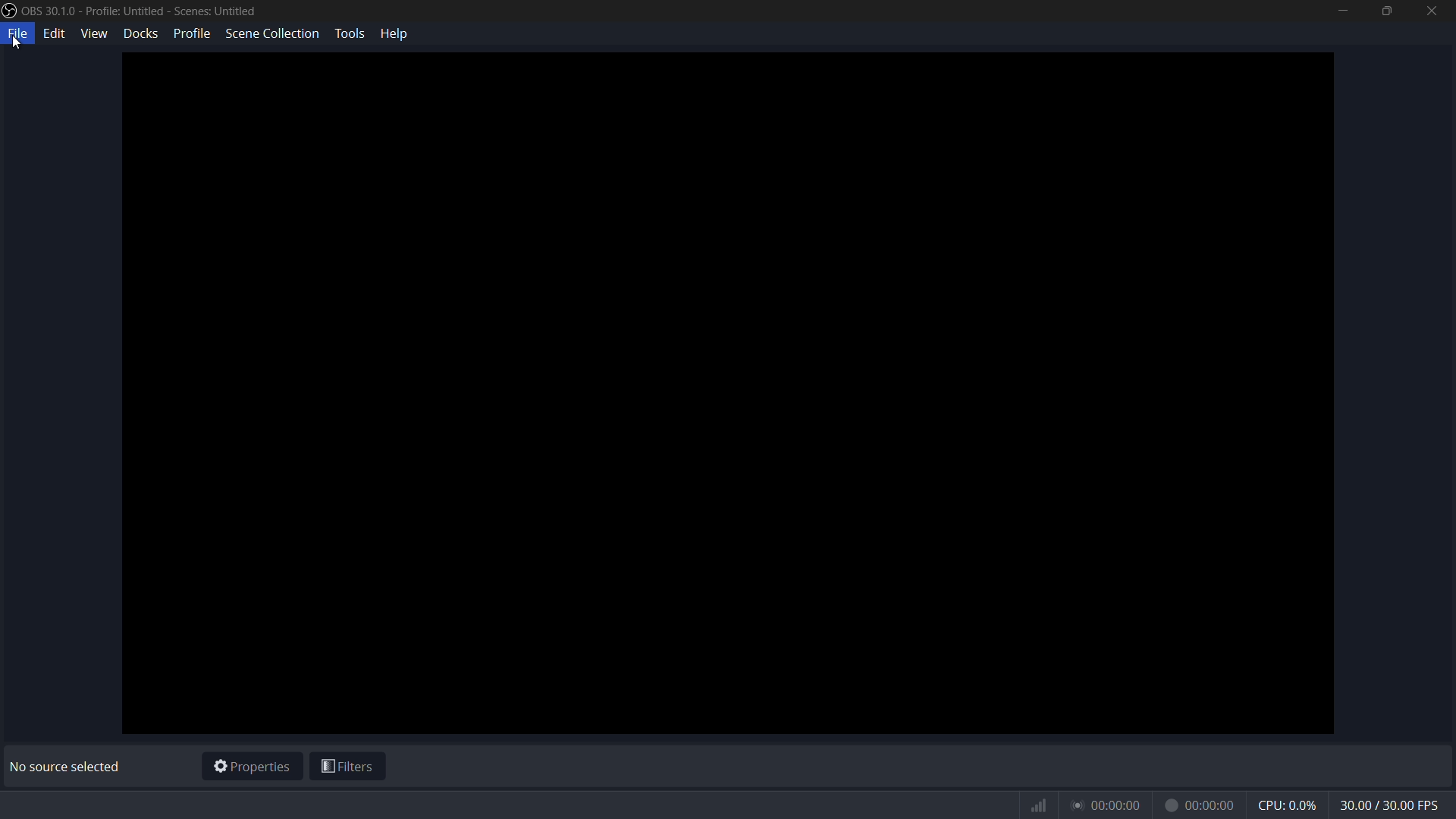  I want to click on view menu, so click(94, 33).